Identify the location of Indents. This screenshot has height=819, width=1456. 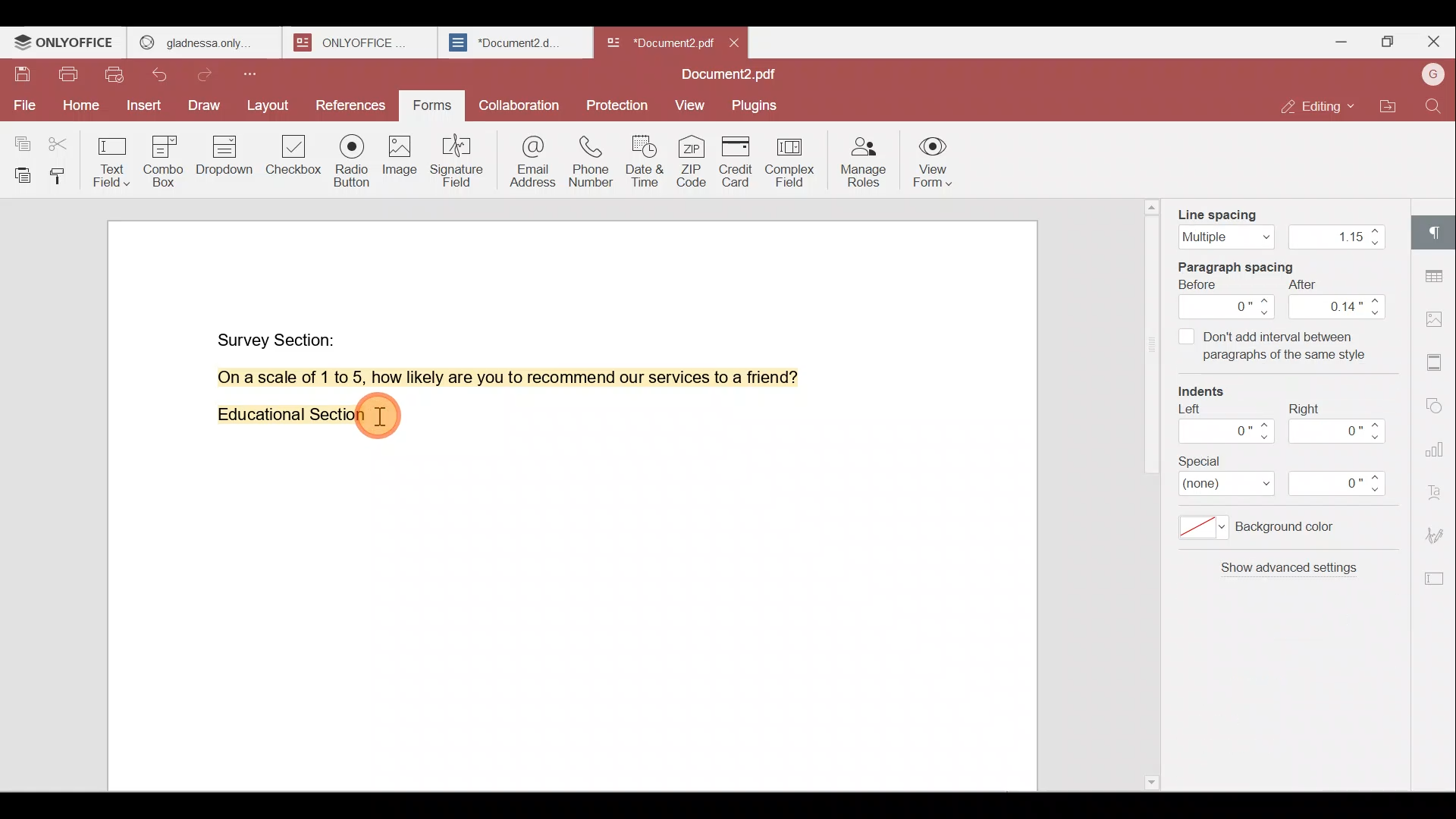
(1210, 393).